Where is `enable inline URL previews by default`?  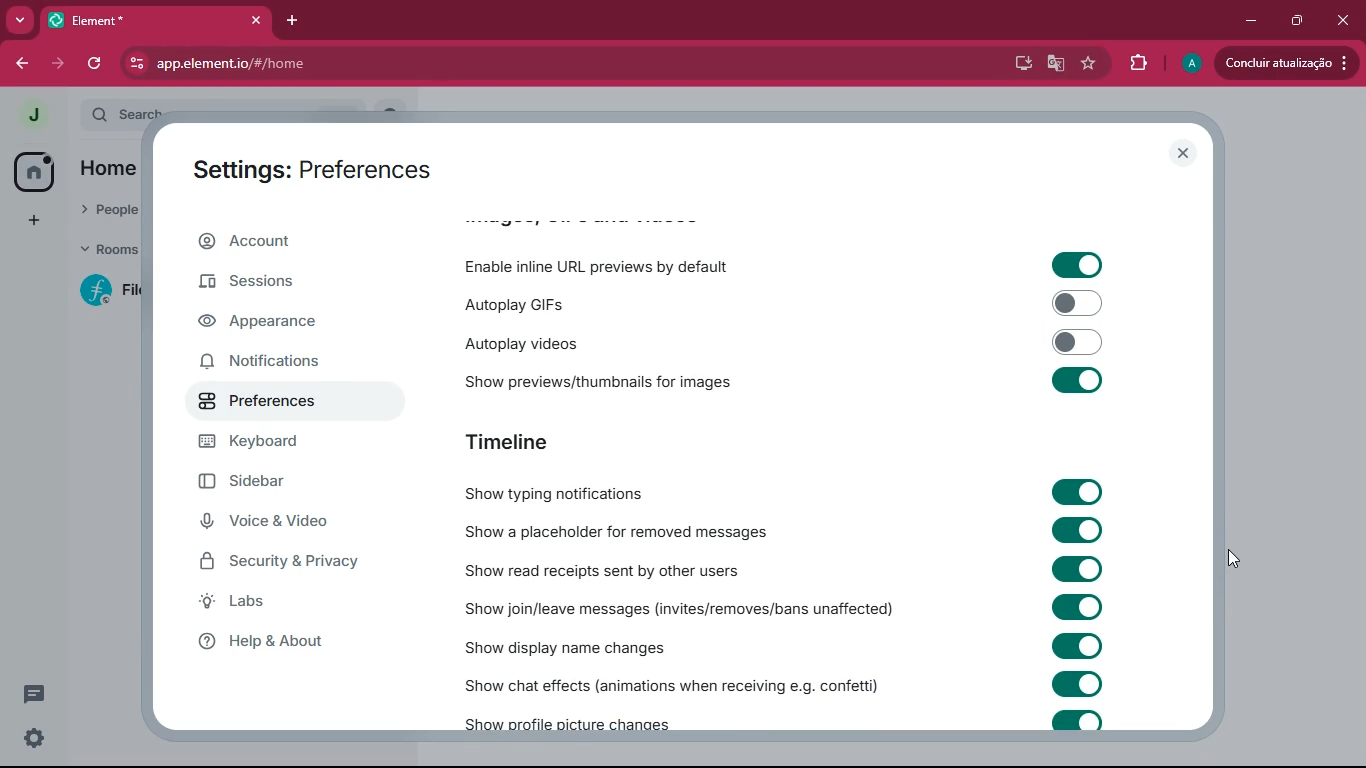
enable inline URL previews by default is located at coordinates (603, 264).